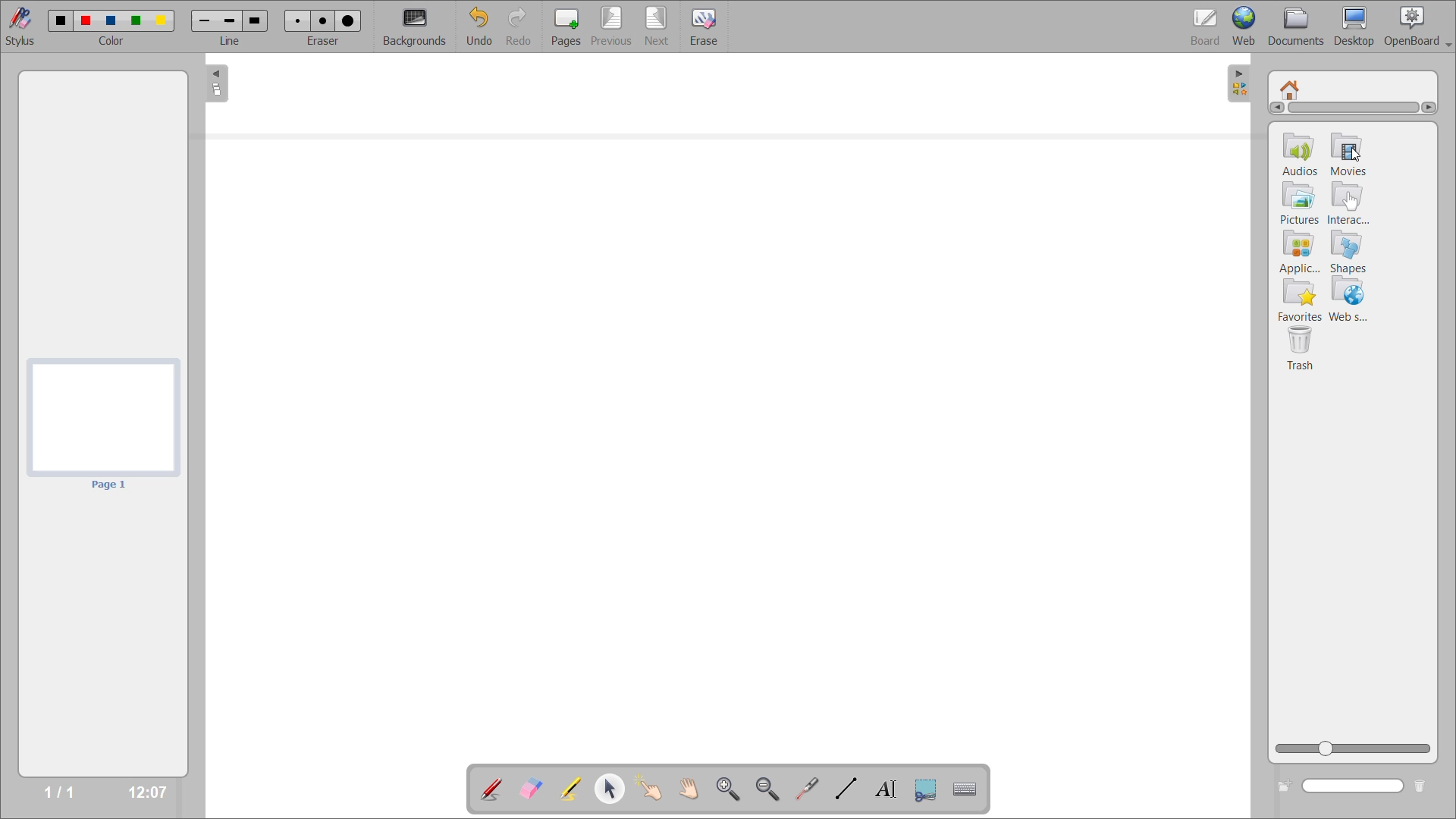 The height and width of the screenshot is (819, 1456). I want to click on eraser 1, so click(296, 20).